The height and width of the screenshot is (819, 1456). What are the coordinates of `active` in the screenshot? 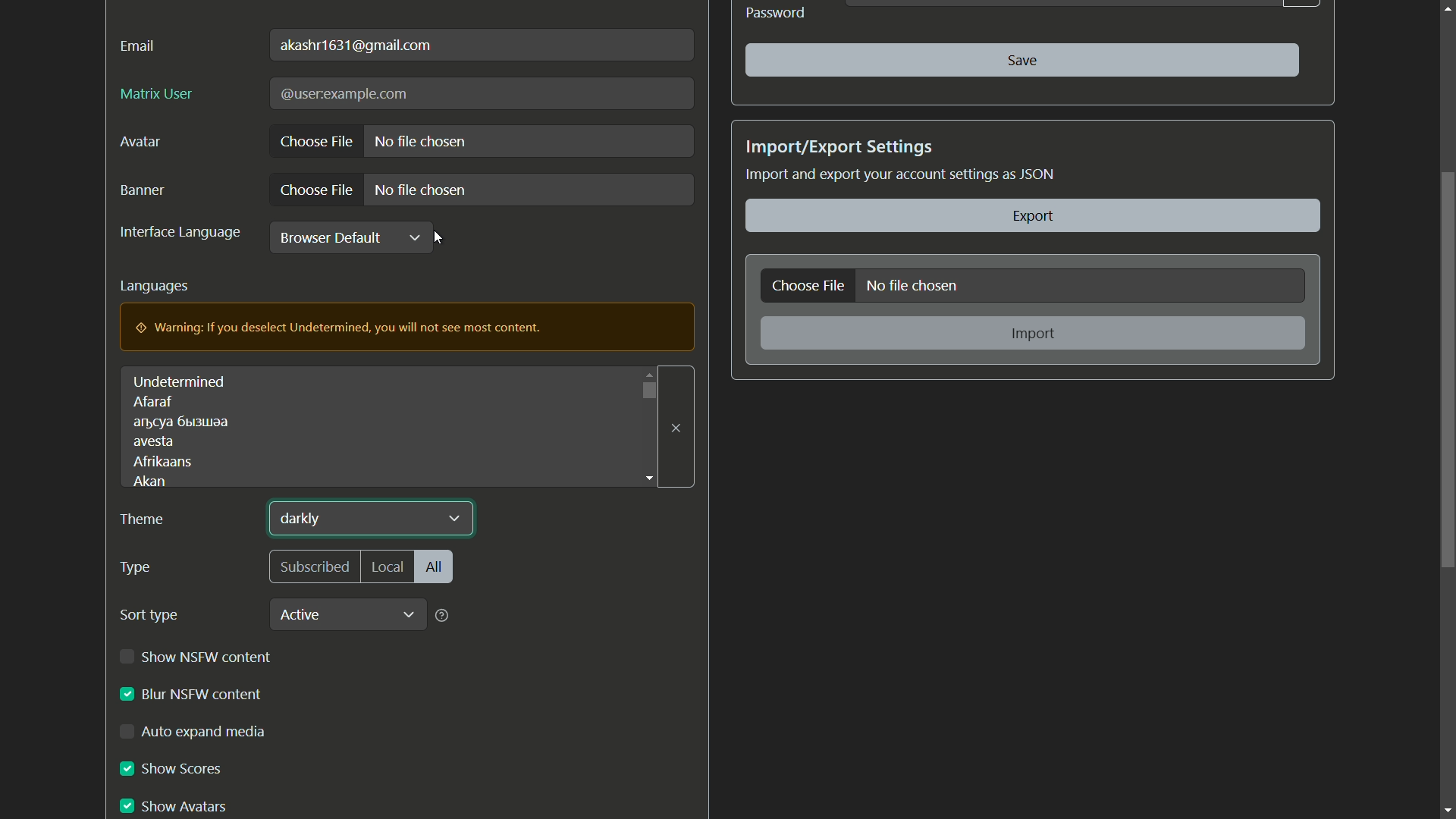 It's located at (303, 613).